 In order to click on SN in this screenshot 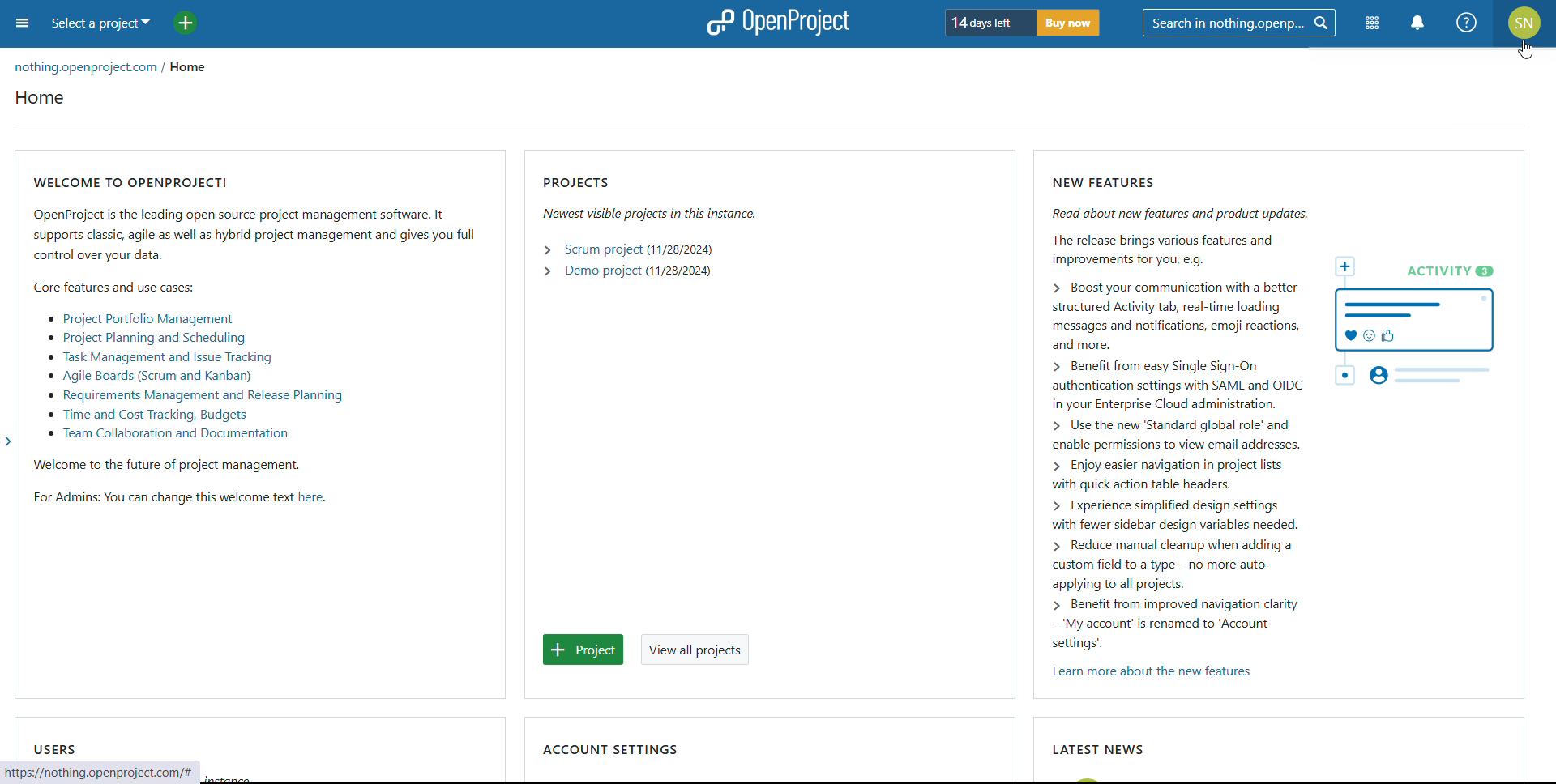, I will do `click(1526, 23)`.